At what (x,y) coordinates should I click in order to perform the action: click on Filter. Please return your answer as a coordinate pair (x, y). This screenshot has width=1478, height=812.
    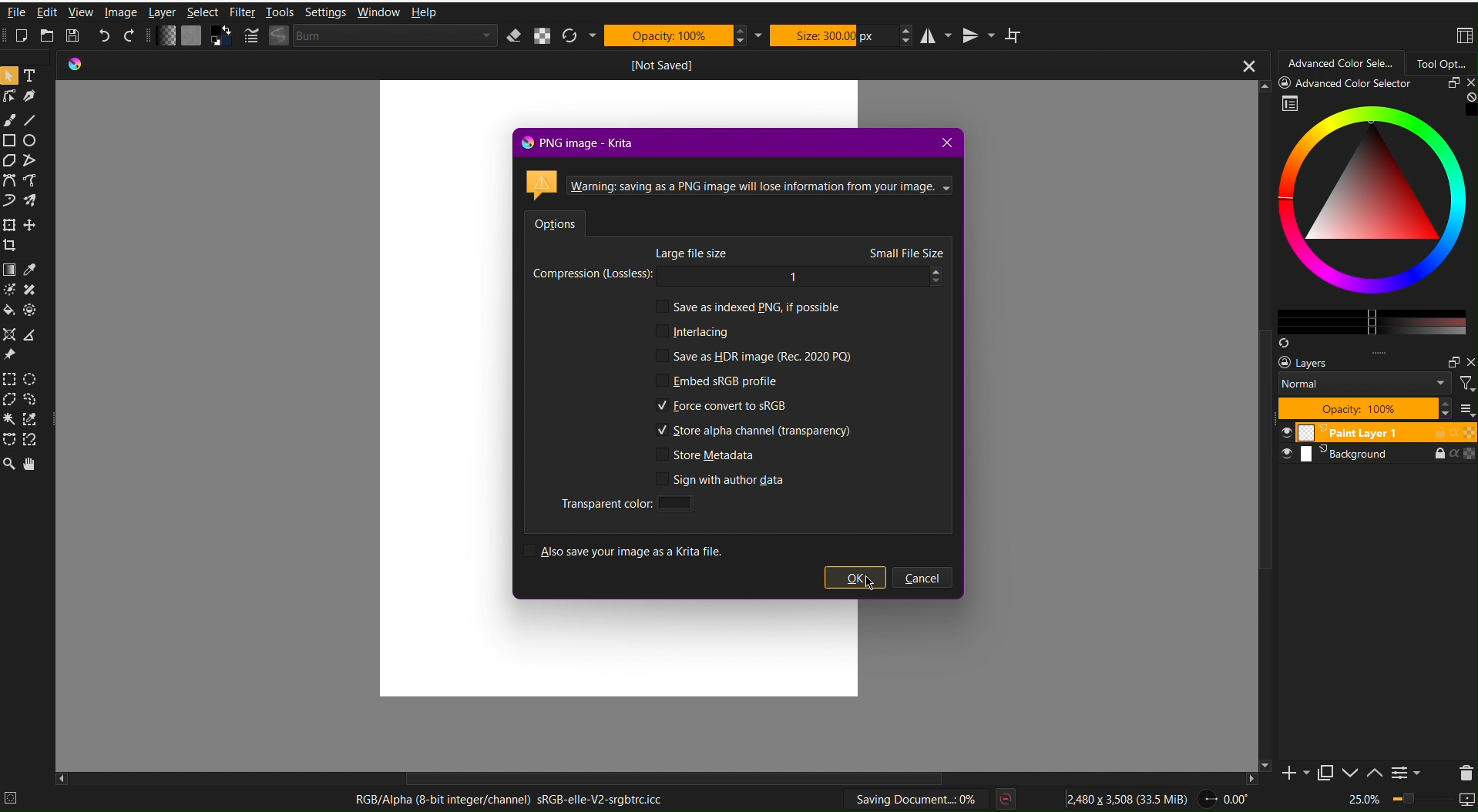
    Looking at the image, I should click on (242, 12).